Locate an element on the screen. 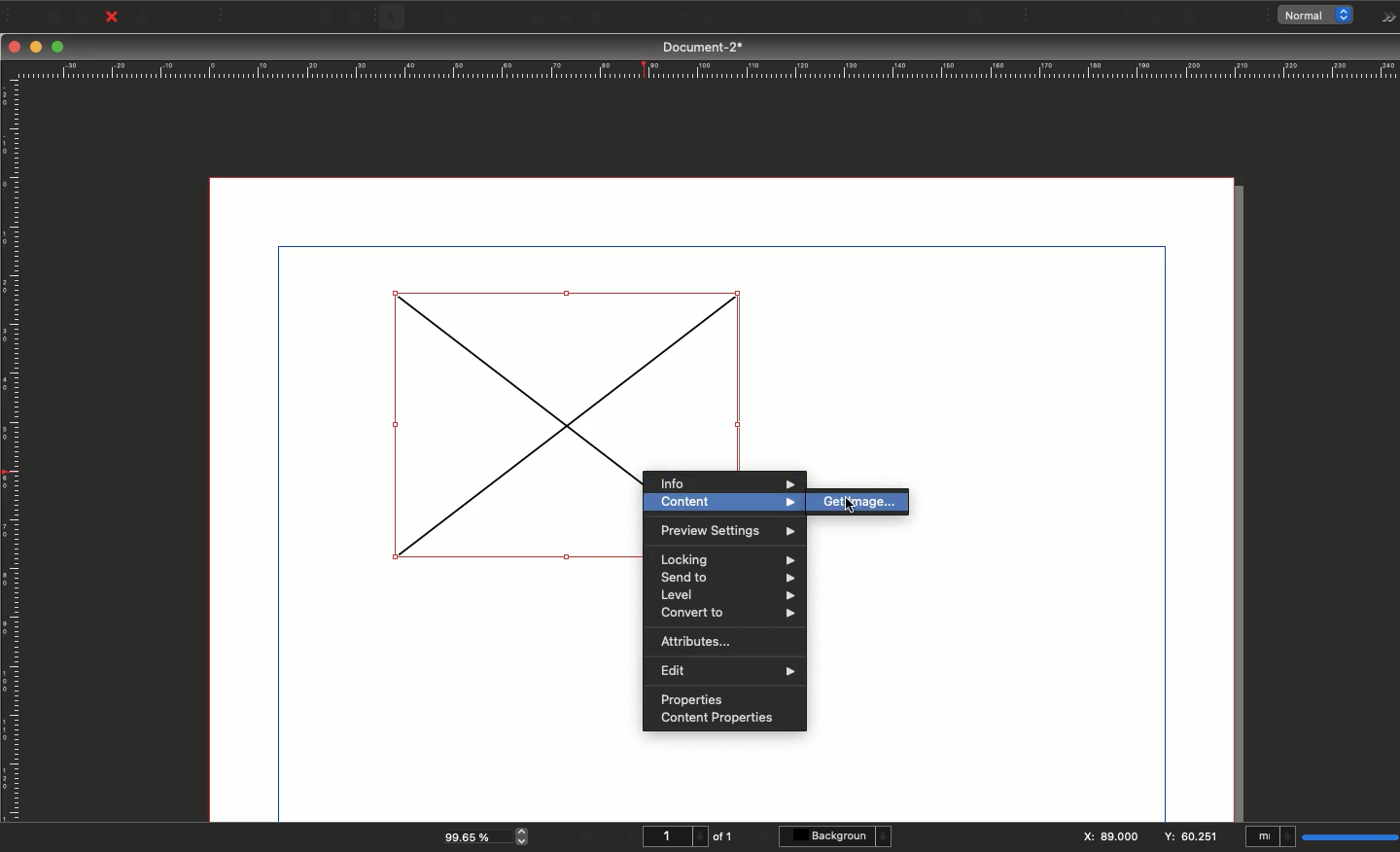  Close is located at coordinates (15, 47).